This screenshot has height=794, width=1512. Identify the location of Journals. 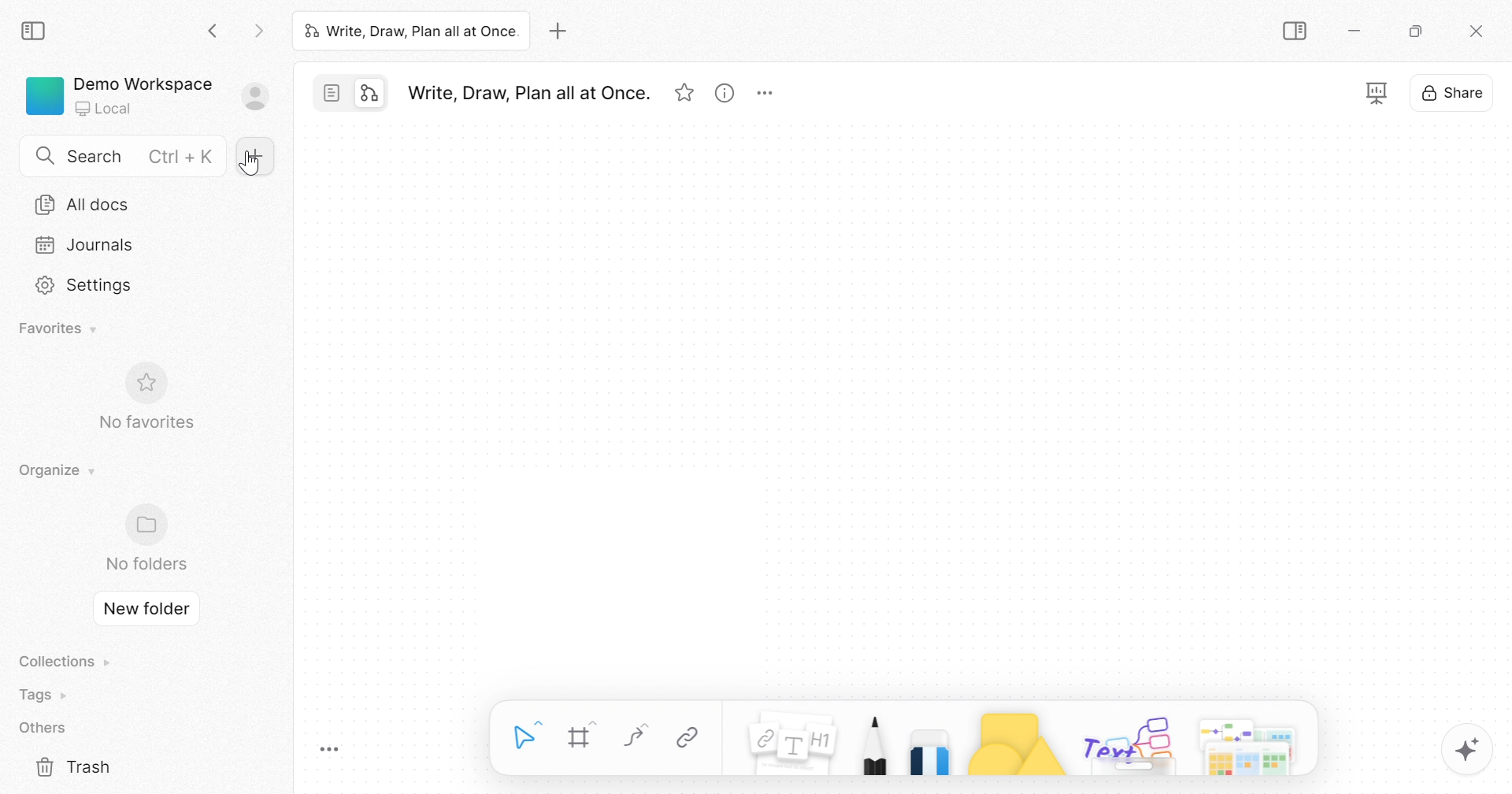
(86, 246).